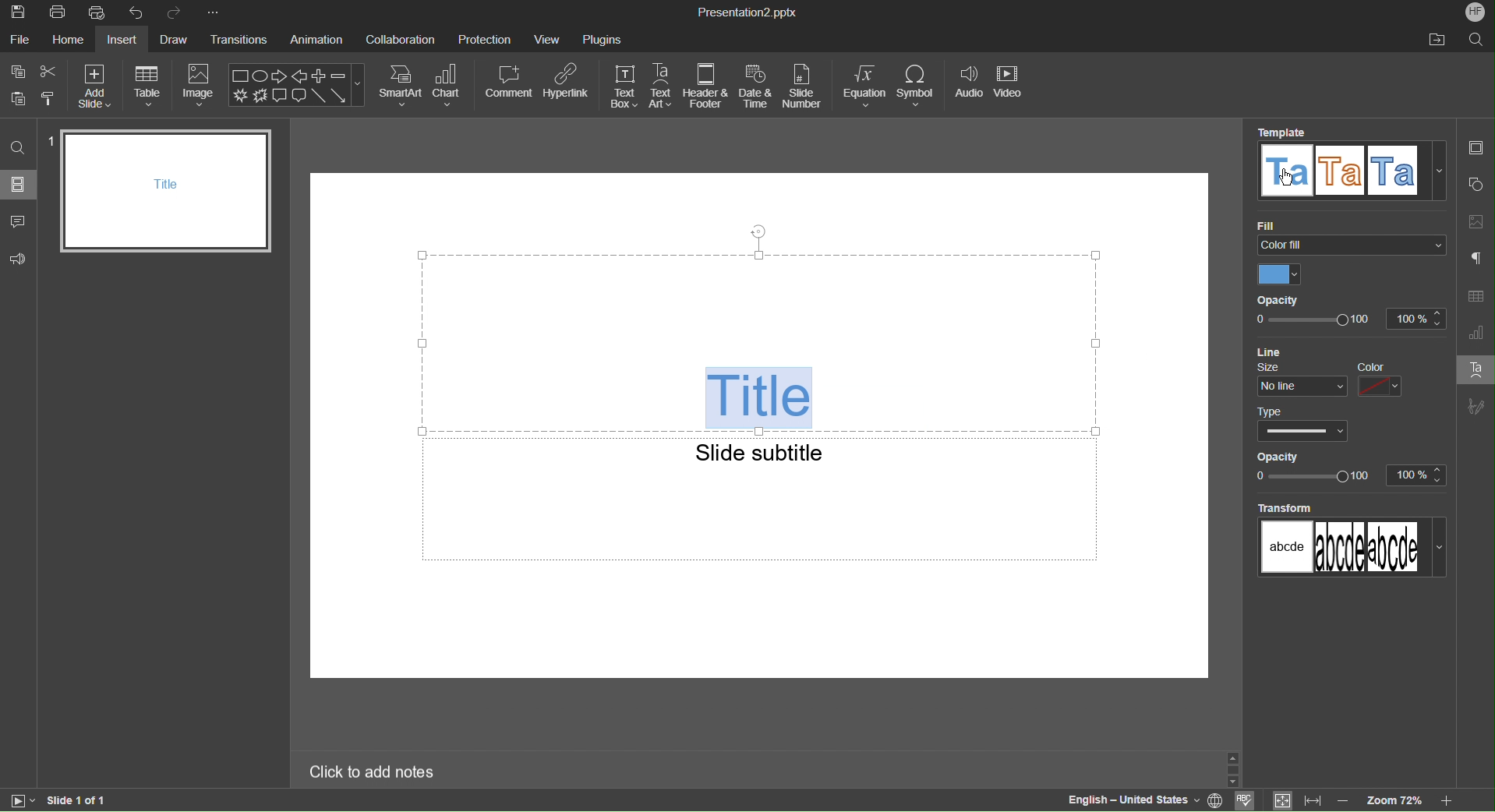  Describe the element at coordinates (121, 40) in the screenshot. I see `Insert` at that location.